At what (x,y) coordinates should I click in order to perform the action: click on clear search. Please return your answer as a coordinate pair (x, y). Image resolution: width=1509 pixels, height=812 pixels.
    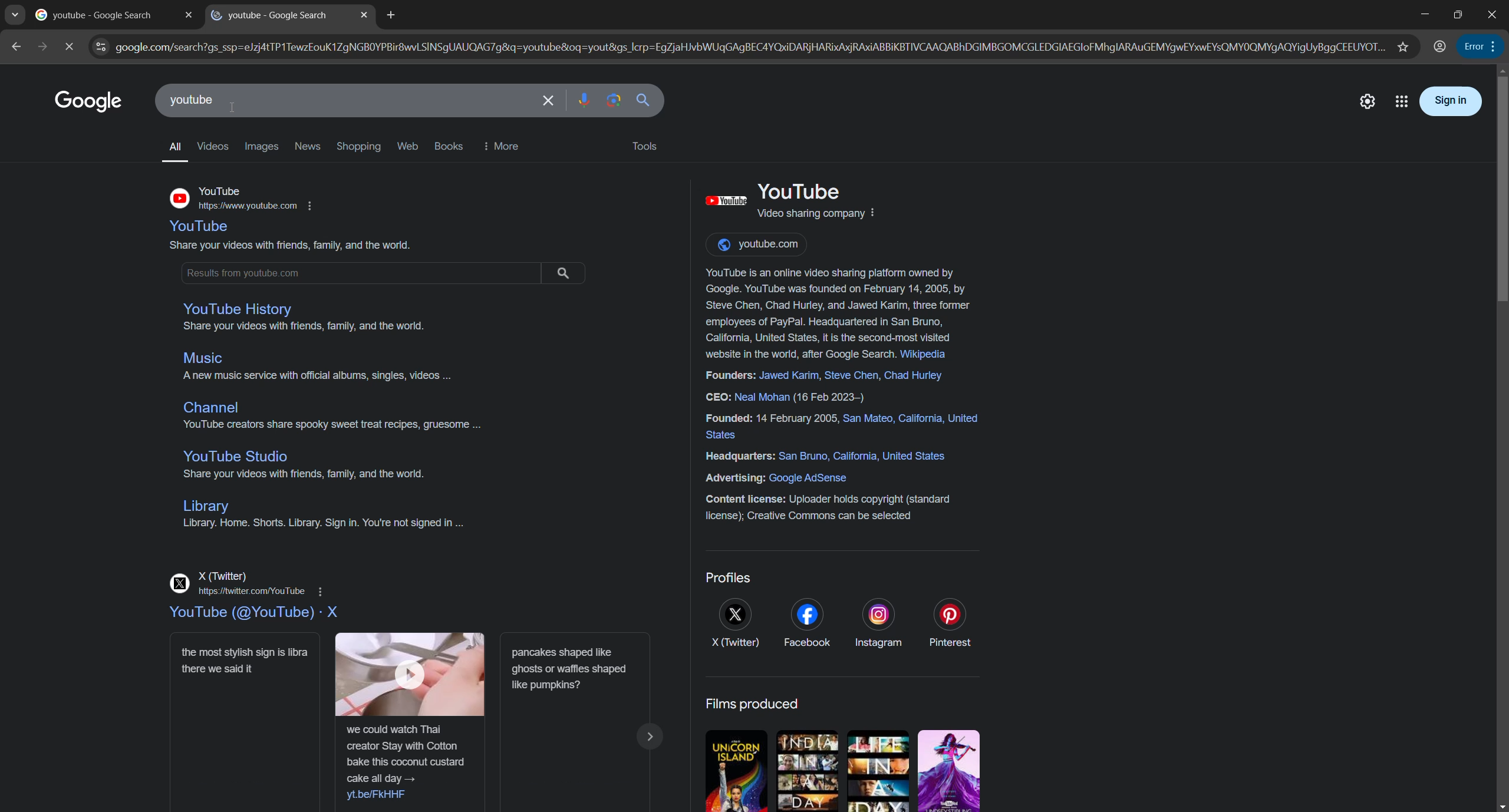
    Looking at the image, I should click on (549, 101).